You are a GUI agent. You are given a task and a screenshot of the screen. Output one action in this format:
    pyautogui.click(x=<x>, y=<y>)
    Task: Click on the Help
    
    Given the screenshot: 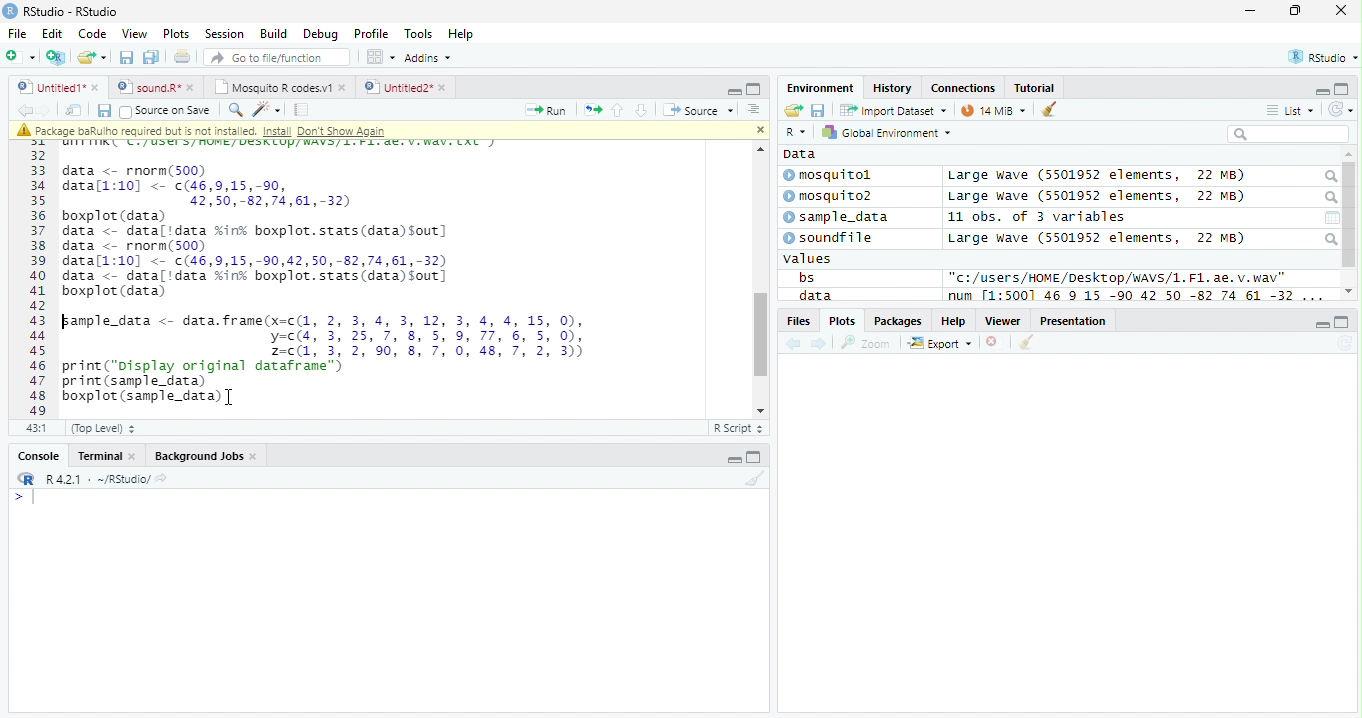 What is the action you would take?
    pyautogui.click(x=954, y=320)
    